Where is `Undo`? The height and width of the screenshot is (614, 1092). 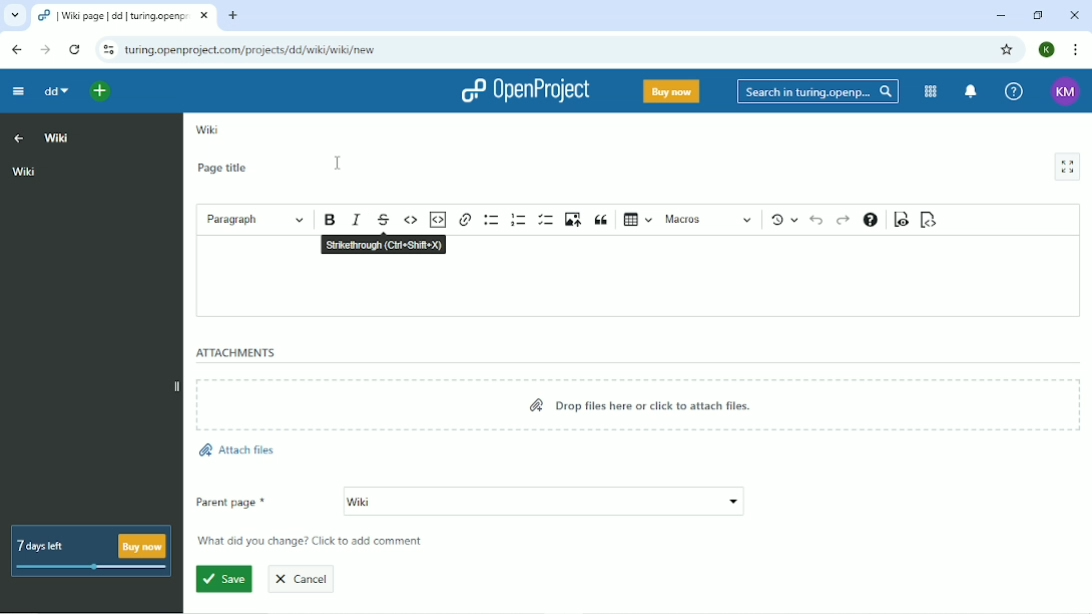 Undo is located at coordinates (816, 220).